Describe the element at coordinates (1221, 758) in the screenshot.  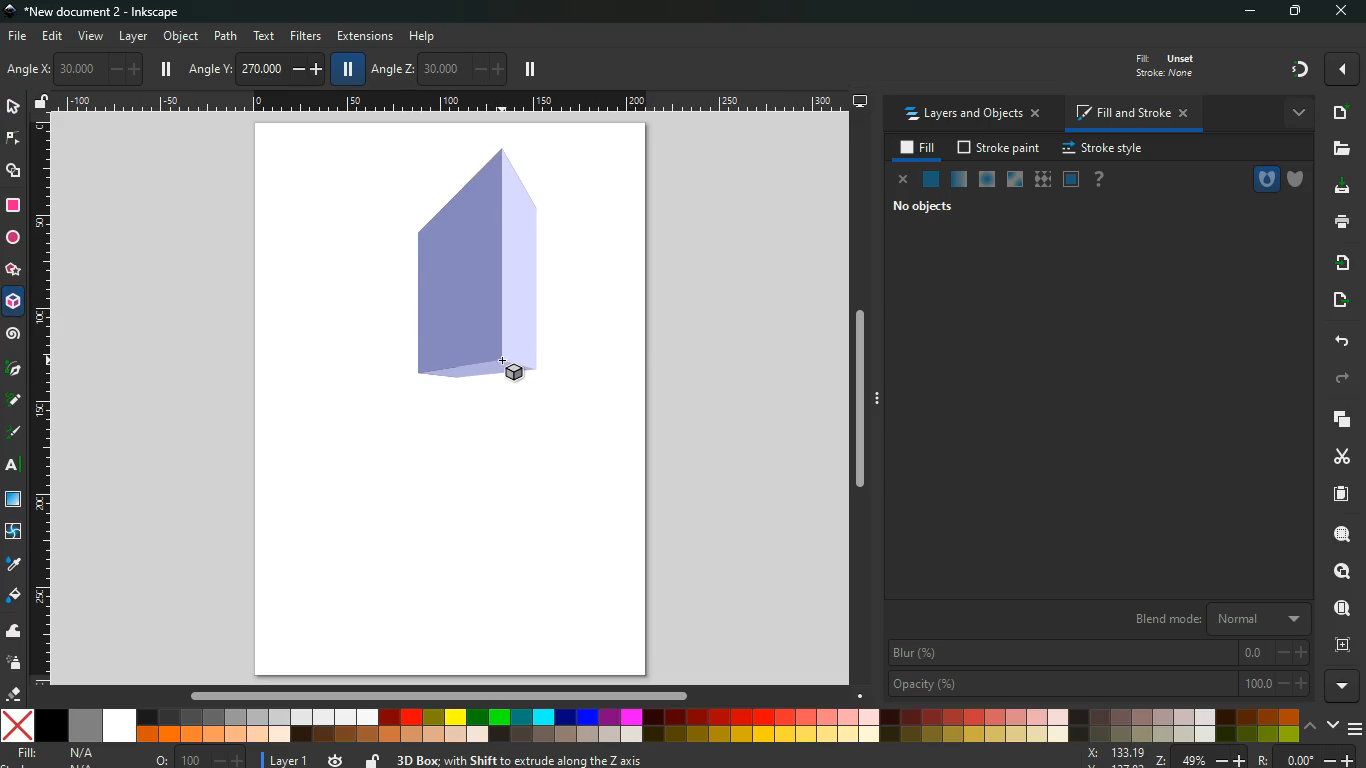
I see `zoom` at that location.